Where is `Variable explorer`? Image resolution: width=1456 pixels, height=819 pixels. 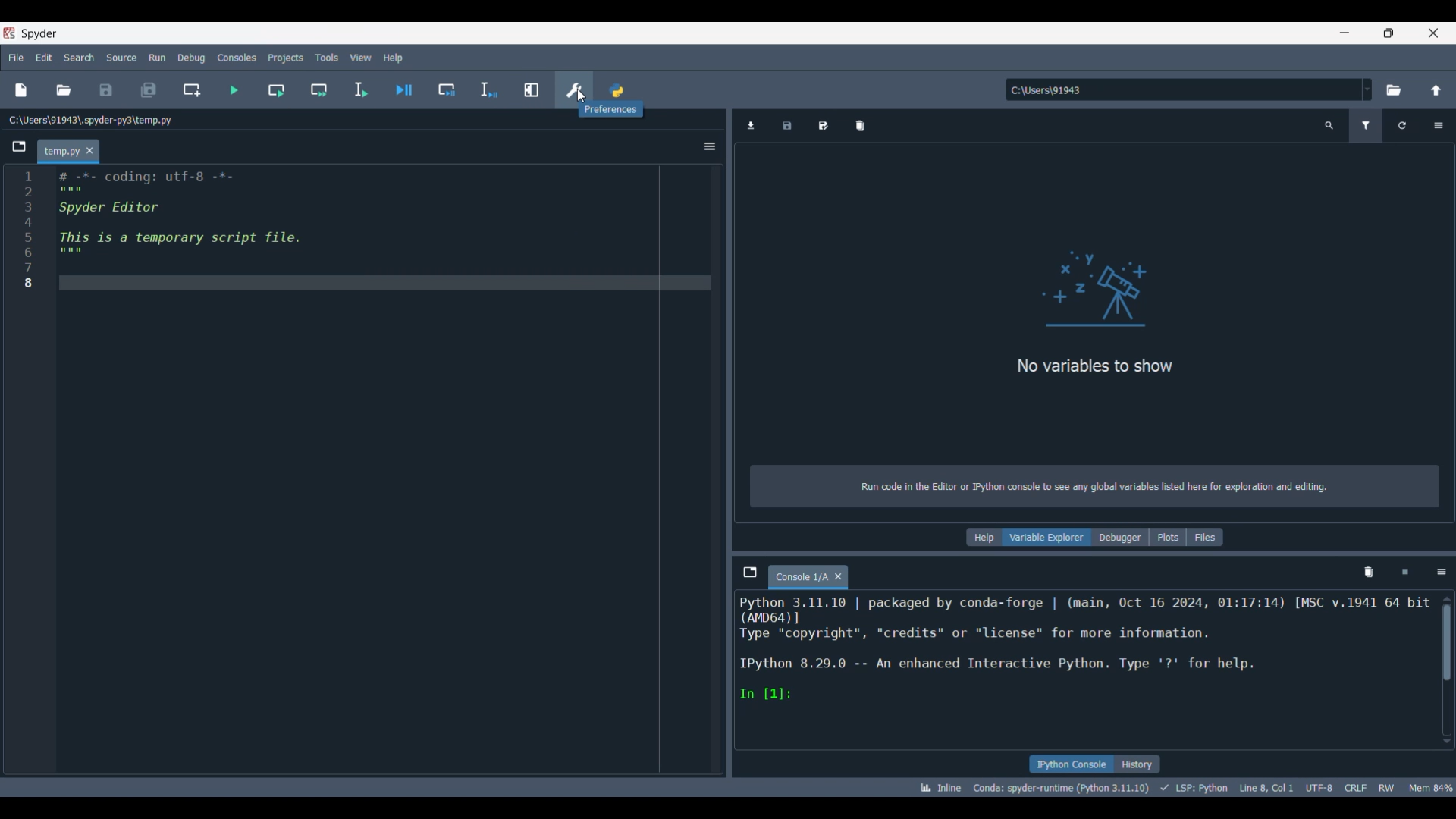
Variable explorer is located at coordinates (1046, 537).